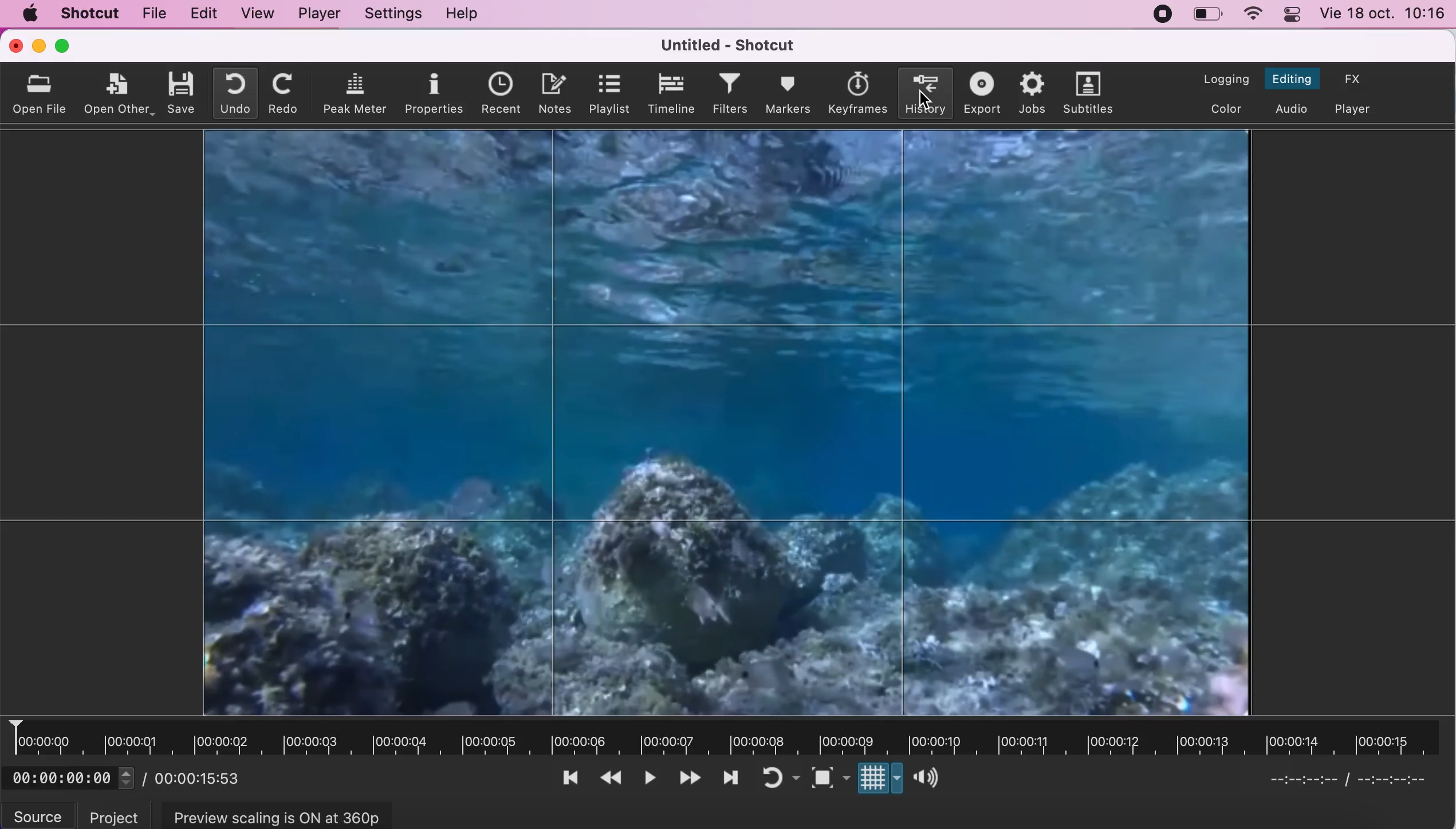 This screenshot has width=1456, height=829. I want to click on close, so click(11, 46).